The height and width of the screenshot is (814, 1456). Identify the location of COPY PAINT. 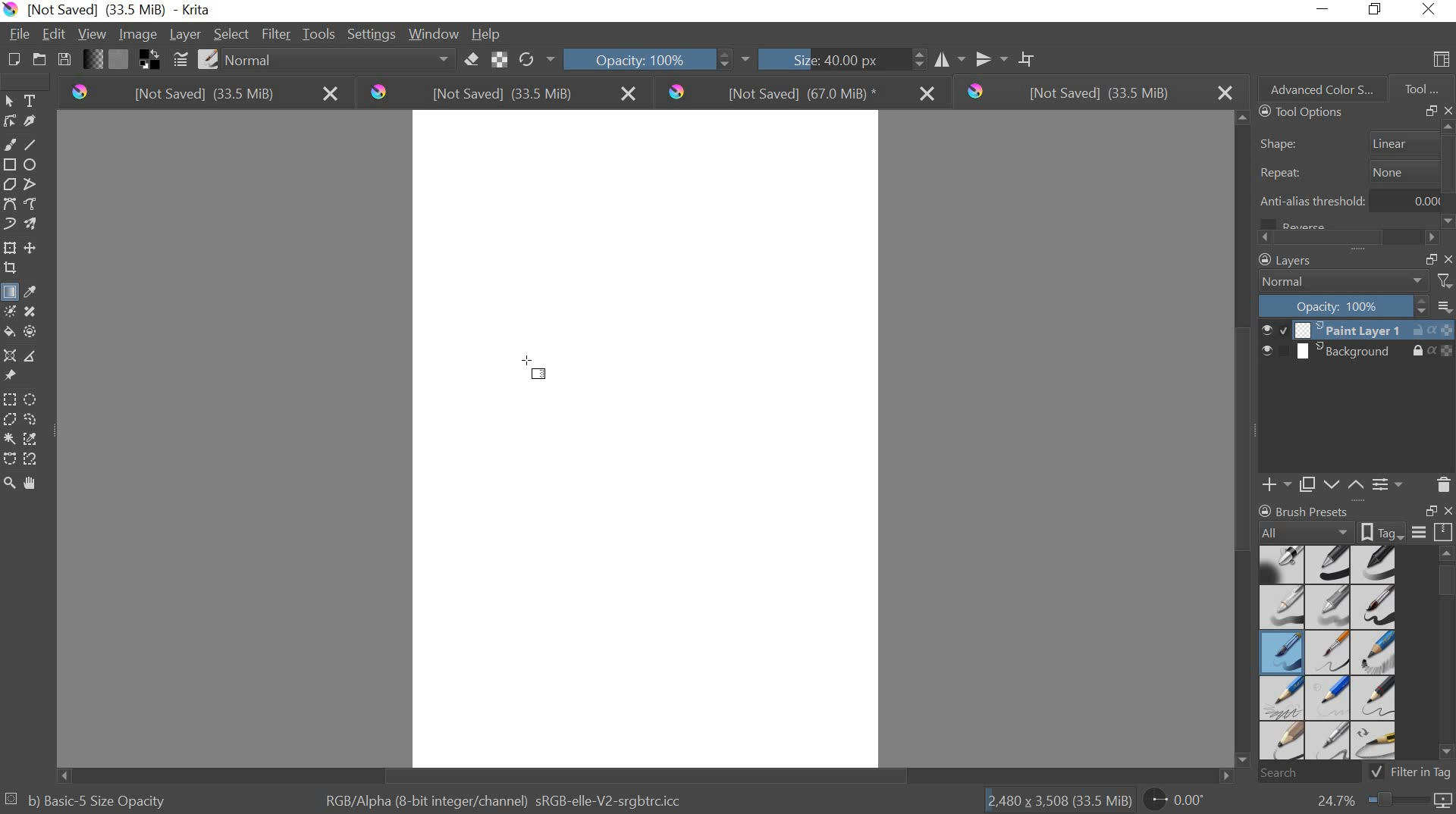
(1307, 484).